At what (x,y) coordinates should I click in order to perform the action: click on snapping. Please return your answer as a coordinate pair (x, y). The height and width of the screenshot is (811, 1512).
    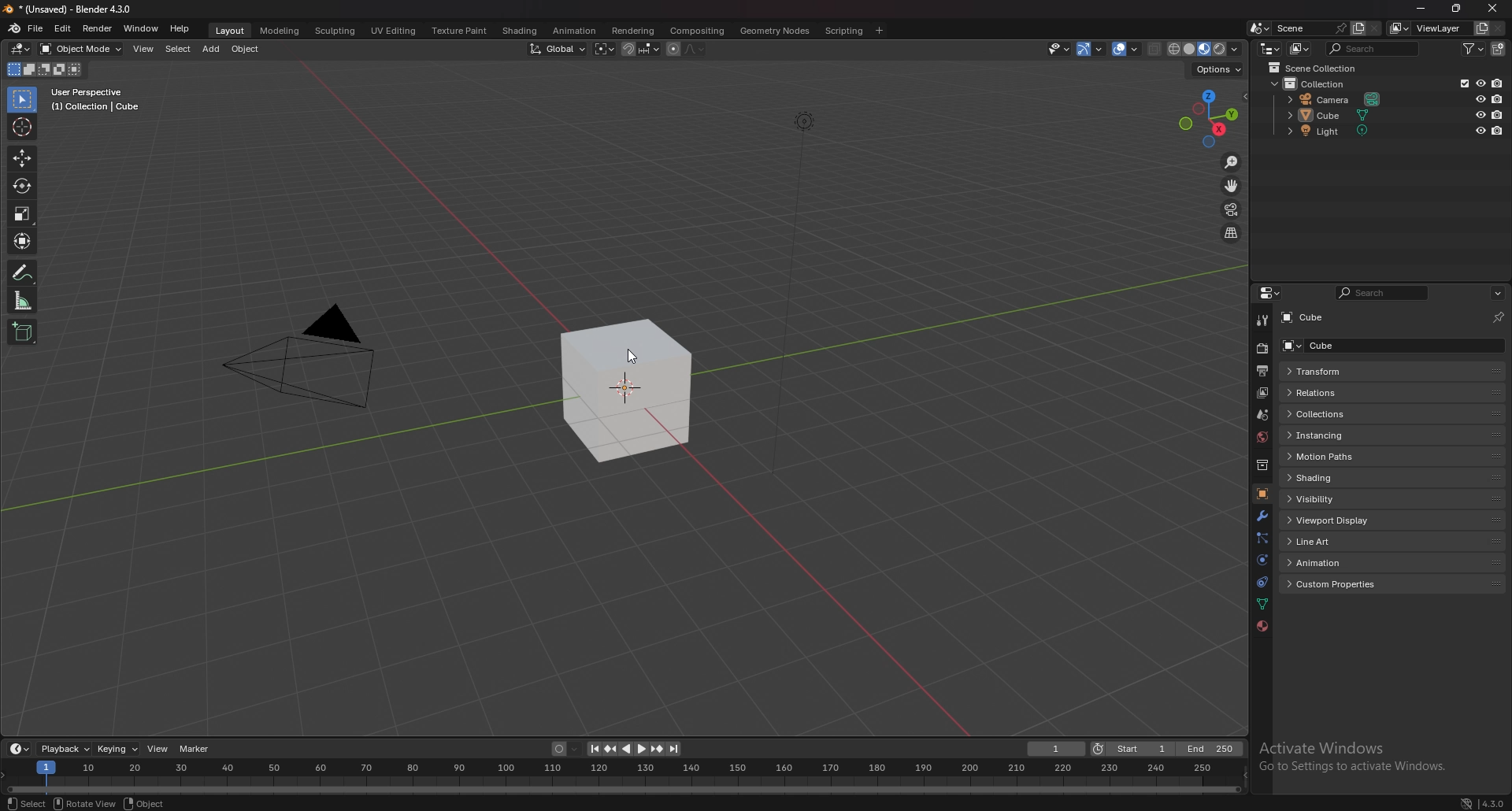
    Looking at the image, I should click on (640, 49).